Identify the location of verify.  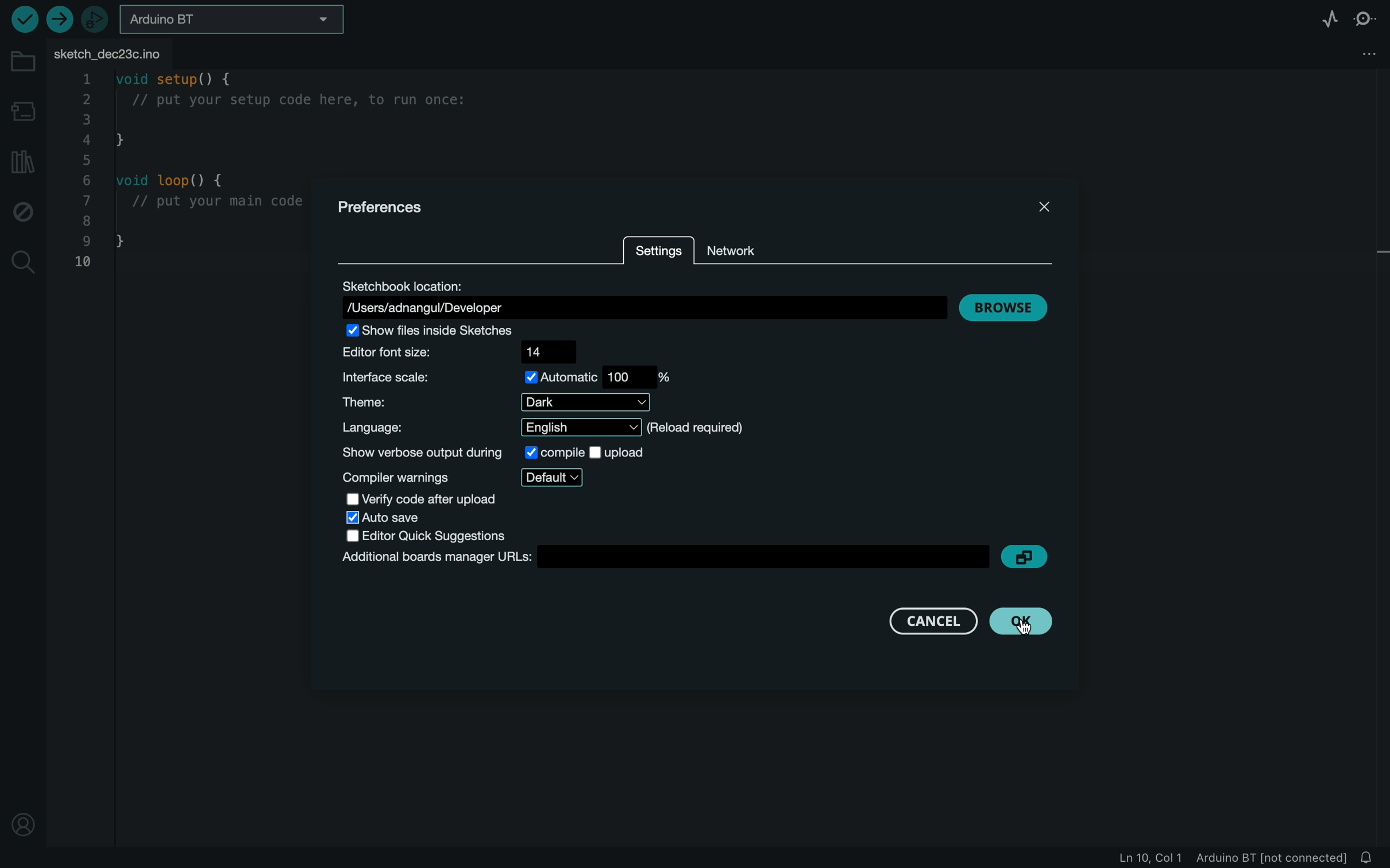
(20, 18).